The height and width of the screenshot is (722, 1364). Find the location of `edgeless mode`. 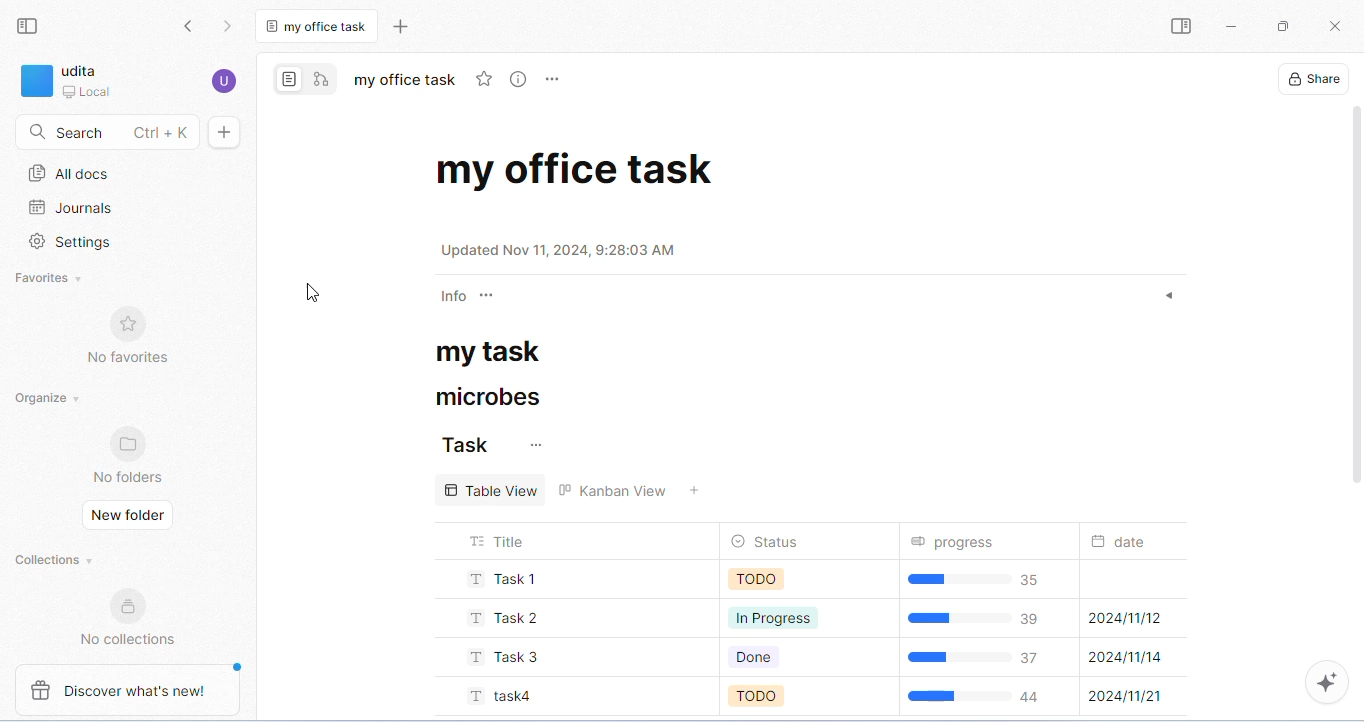

edgeless mode is located at coordinates (321, 80).